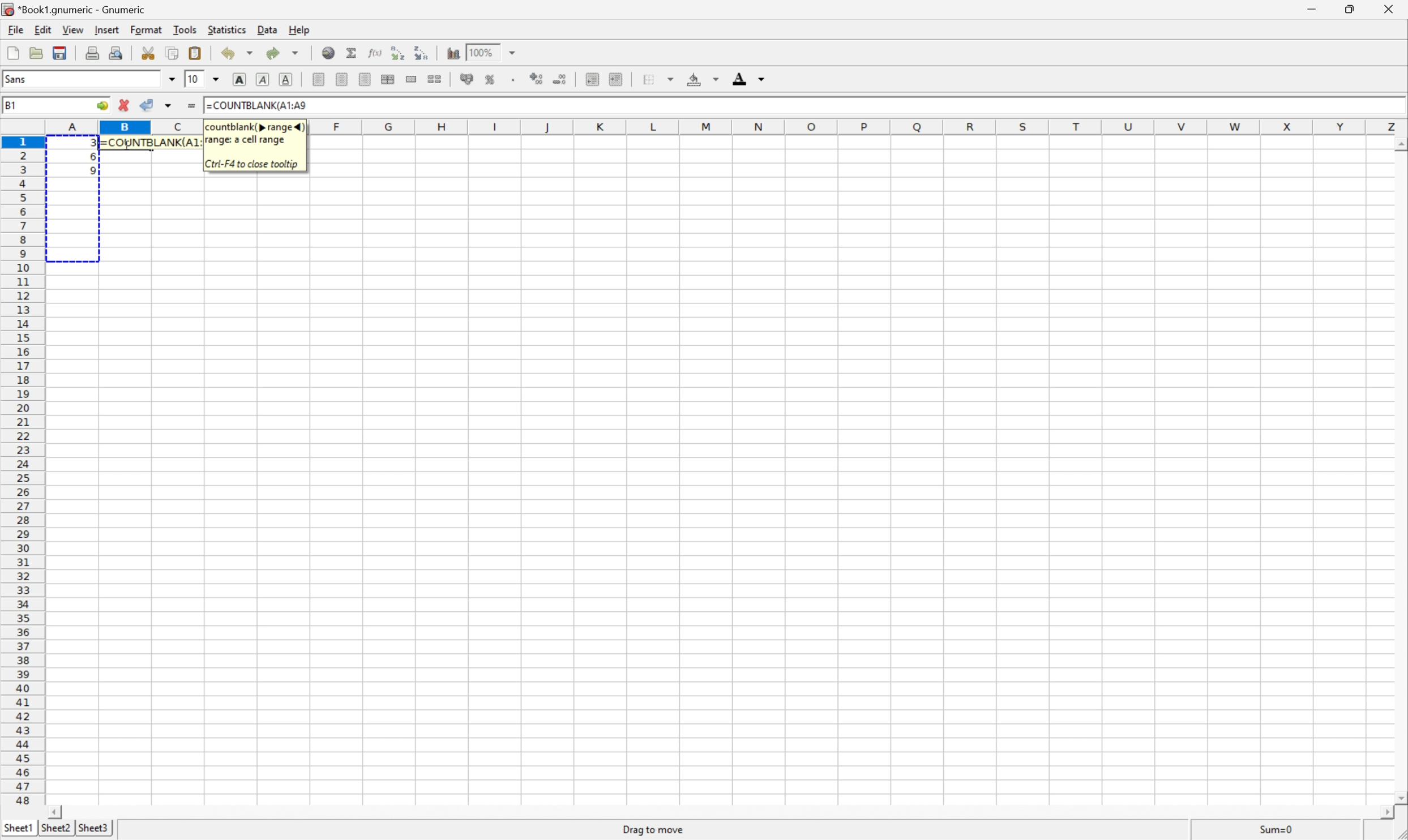 The width and height of the screenshot is (1408, 840). What do you see at coordinates (12, 104) in the screenshot?
I see `B1` at bounding box center [12, 104].